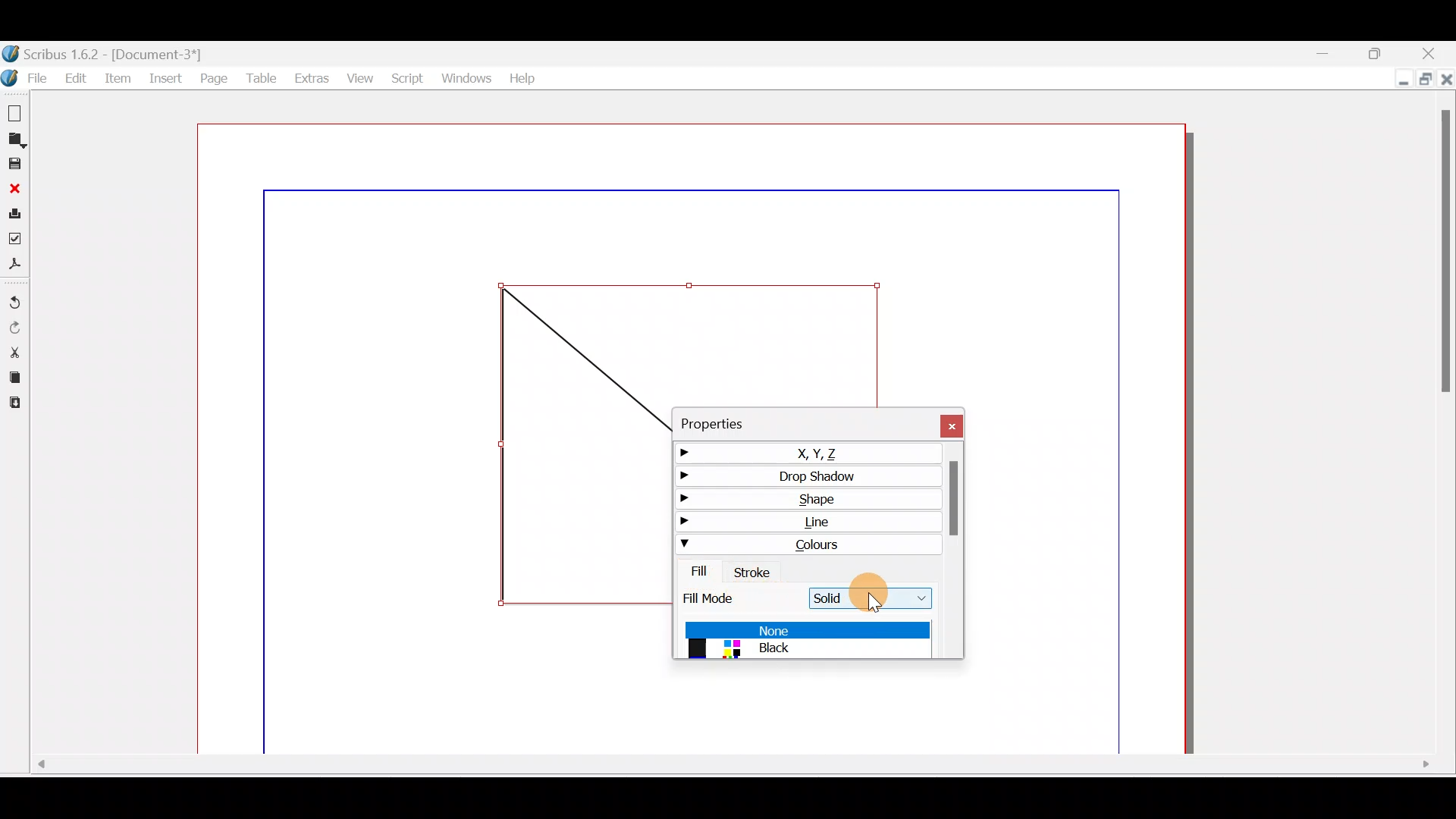 Image resolution: width=1456 pixels, height=819 pixels. I want to click on cursor, so click(880, 605).